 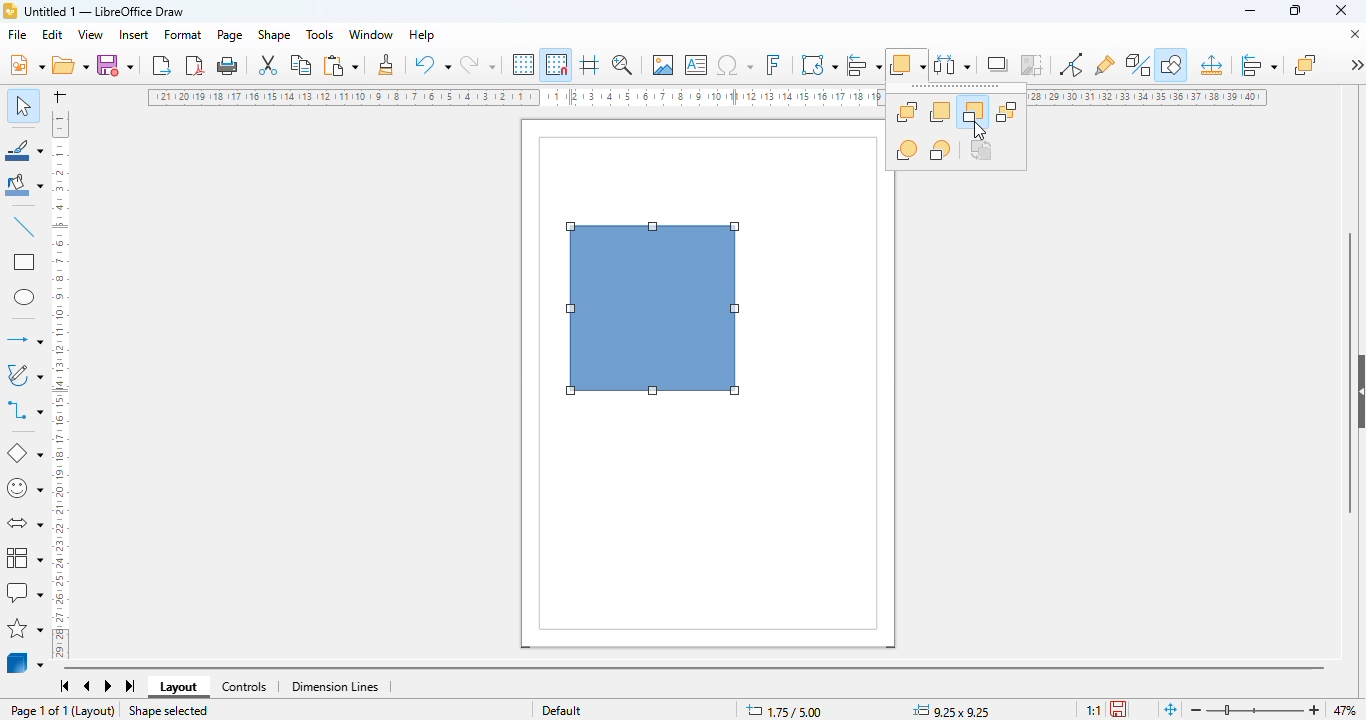 What do you see at coordinates (589, 64) in the screenshot?
I see `helplines while moving` at bounding box center [589, 64].